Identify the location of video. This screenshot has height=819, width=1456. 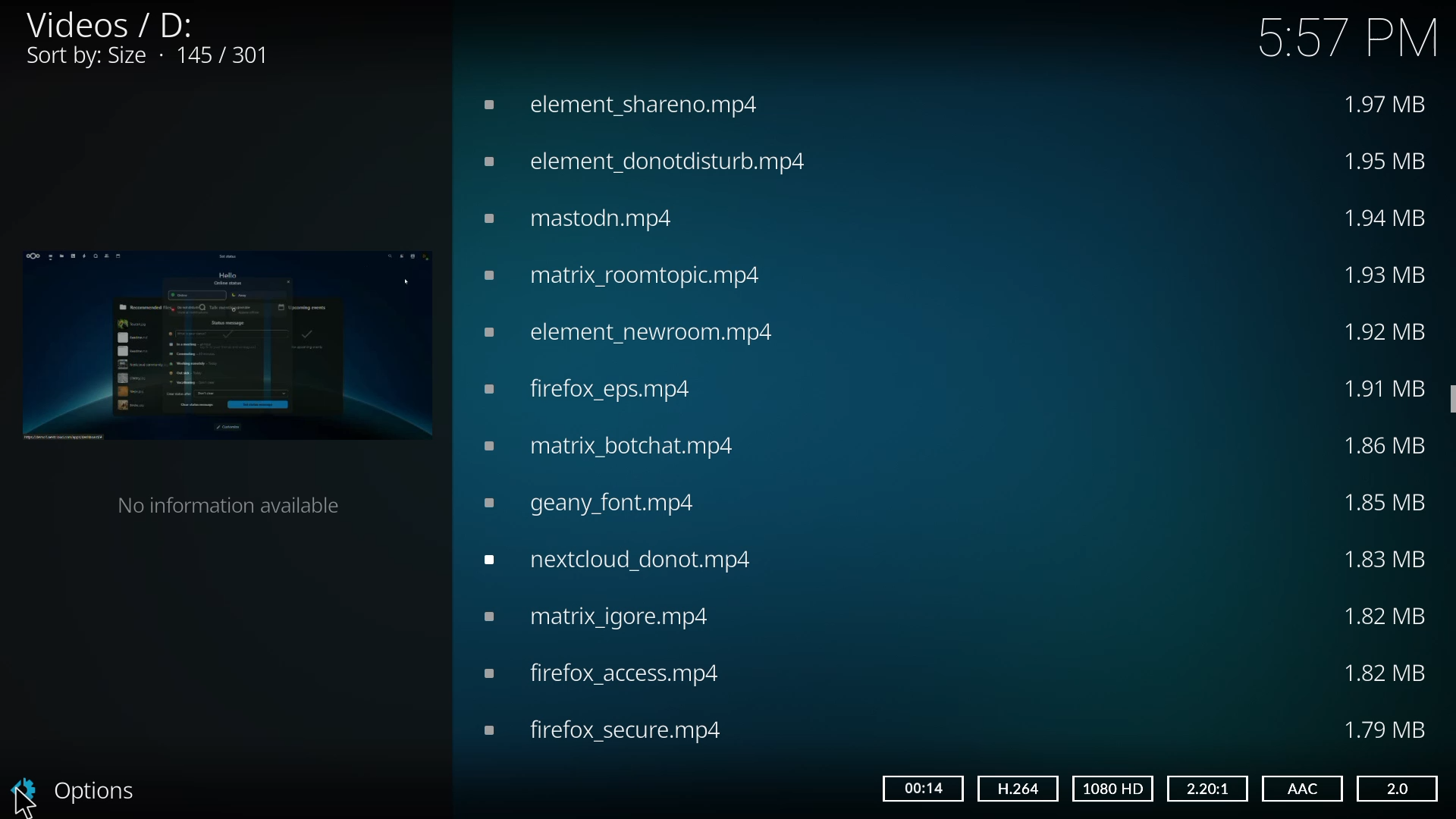
(603, 729).